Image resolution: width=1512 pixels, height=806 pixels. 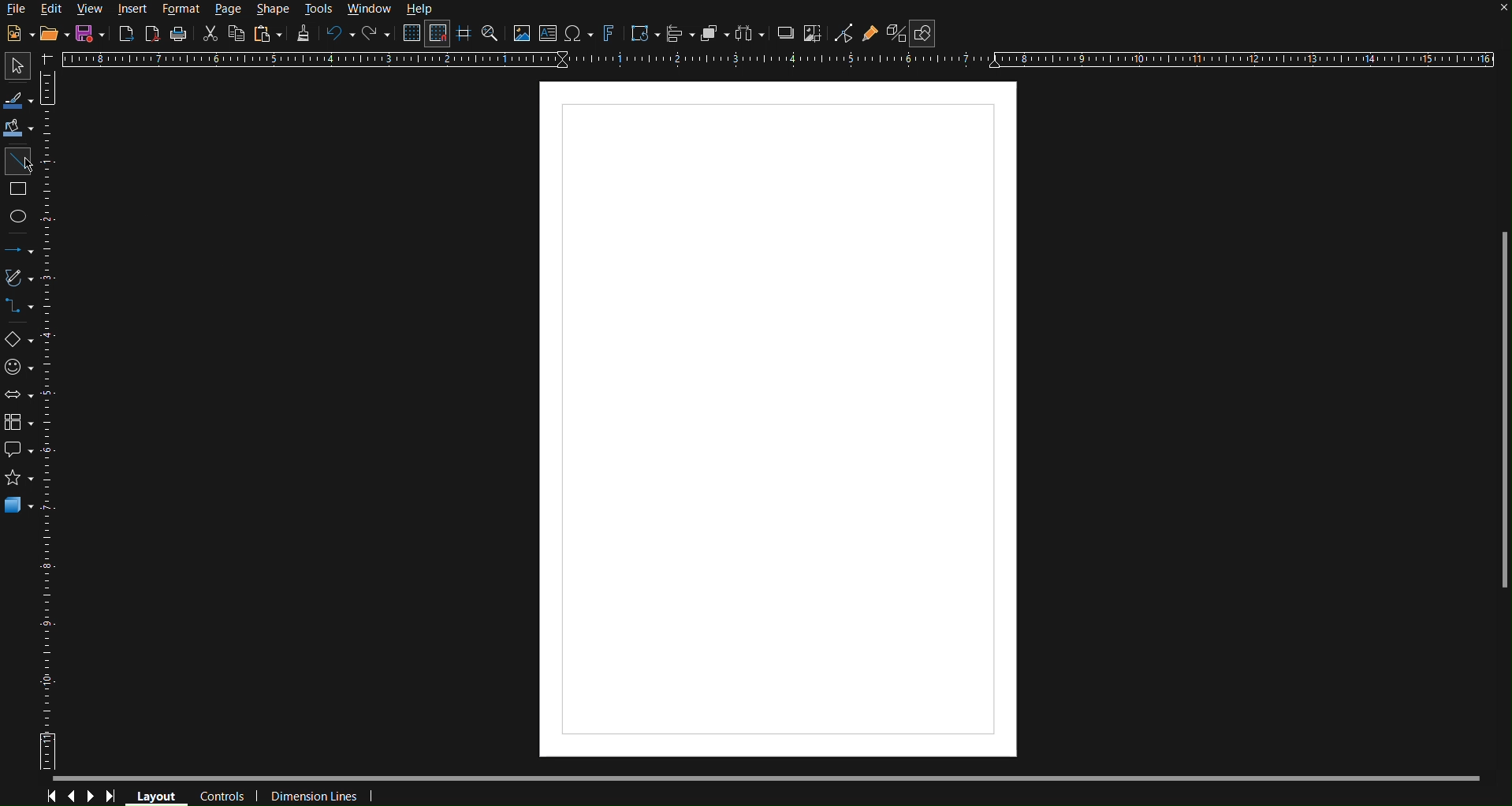 I want to click on Insert special characters, so click(x=579, y=34).